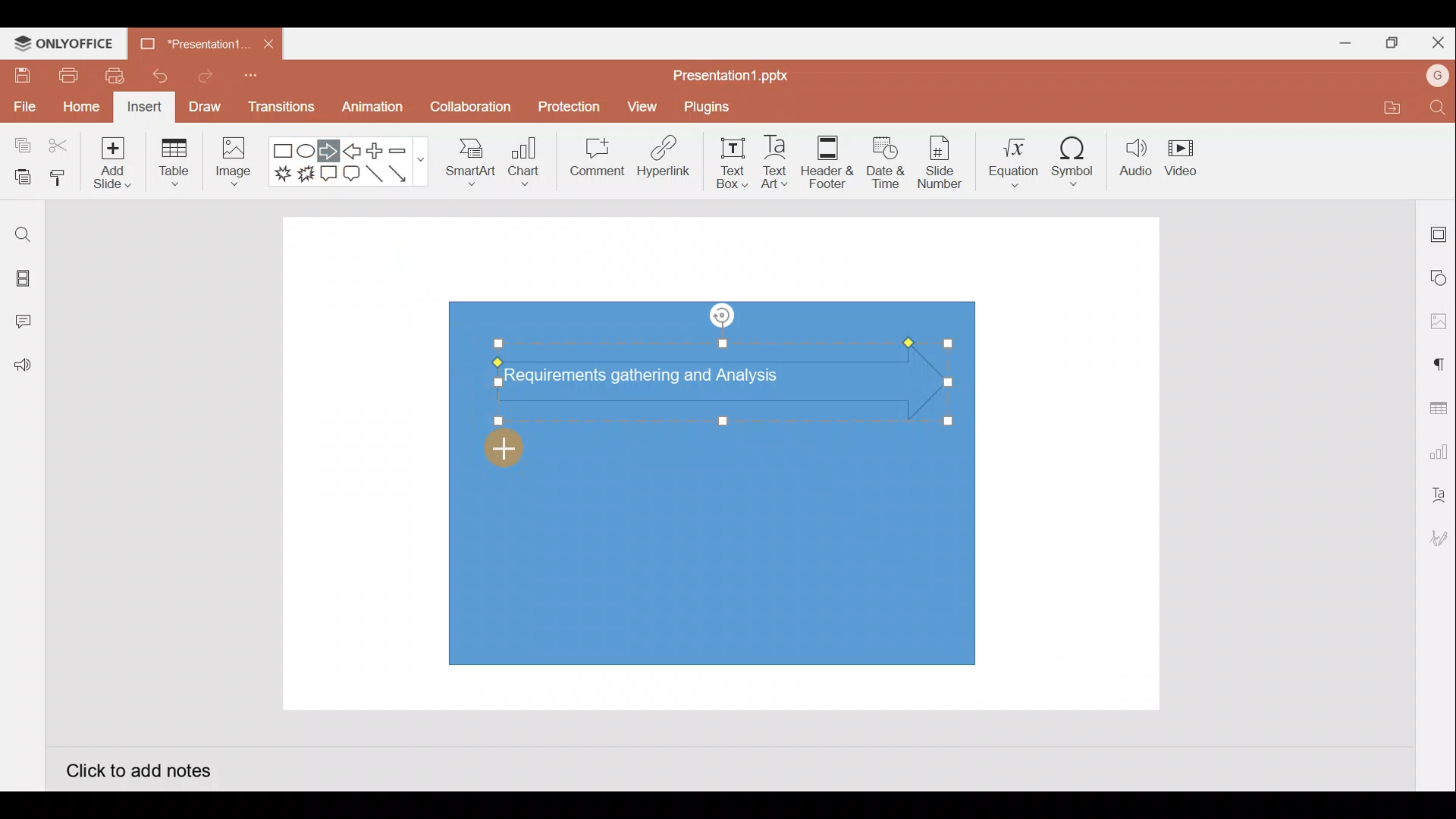 The height and width of the screenshot is (819, 1456). Describe the element at coordinates (828, 158) in the screenshot. I see `Header & footer` at that location.